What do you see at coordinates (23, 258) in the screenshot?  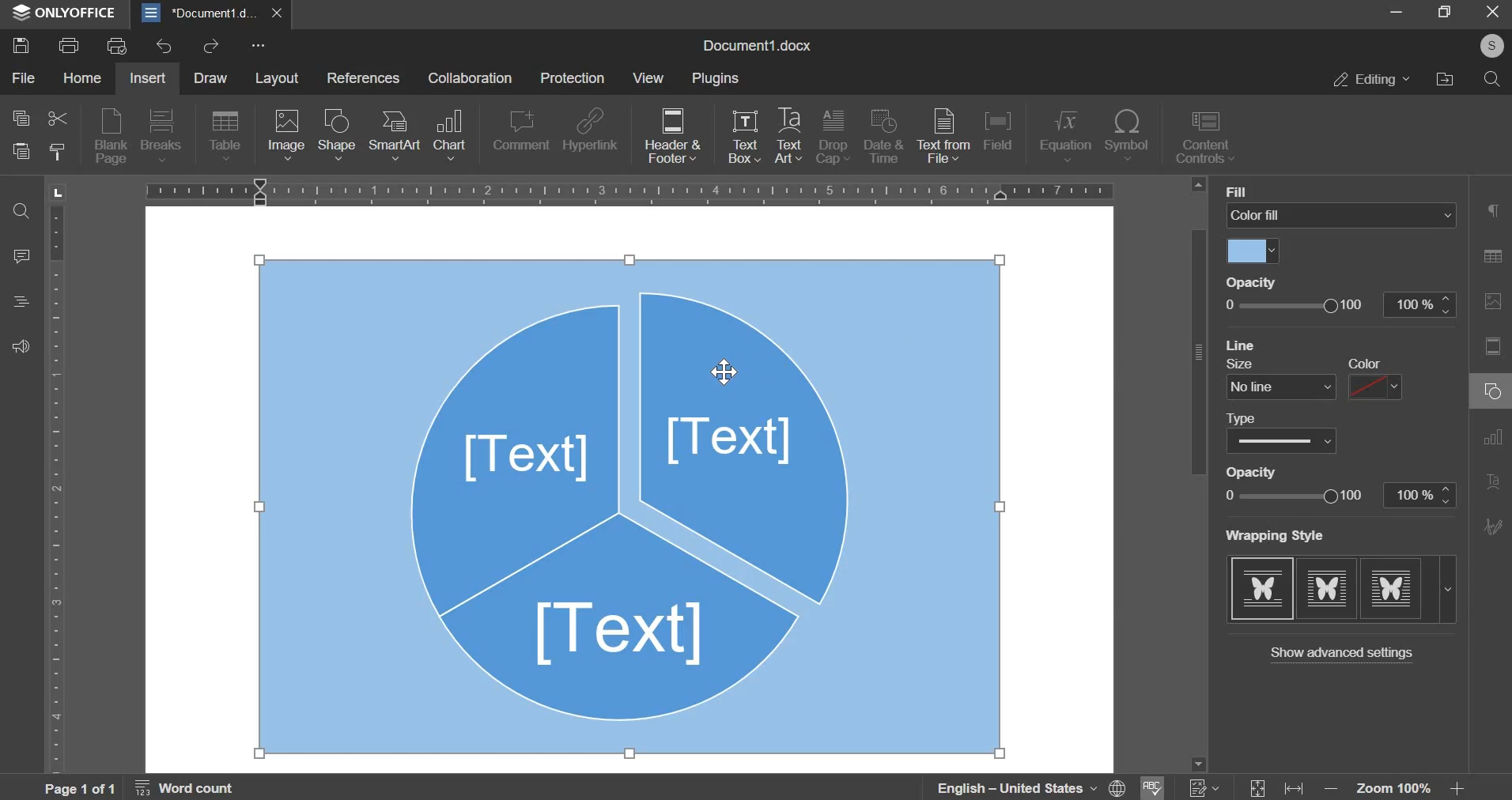 I see `comment panel` at bounding box center [23, 258].